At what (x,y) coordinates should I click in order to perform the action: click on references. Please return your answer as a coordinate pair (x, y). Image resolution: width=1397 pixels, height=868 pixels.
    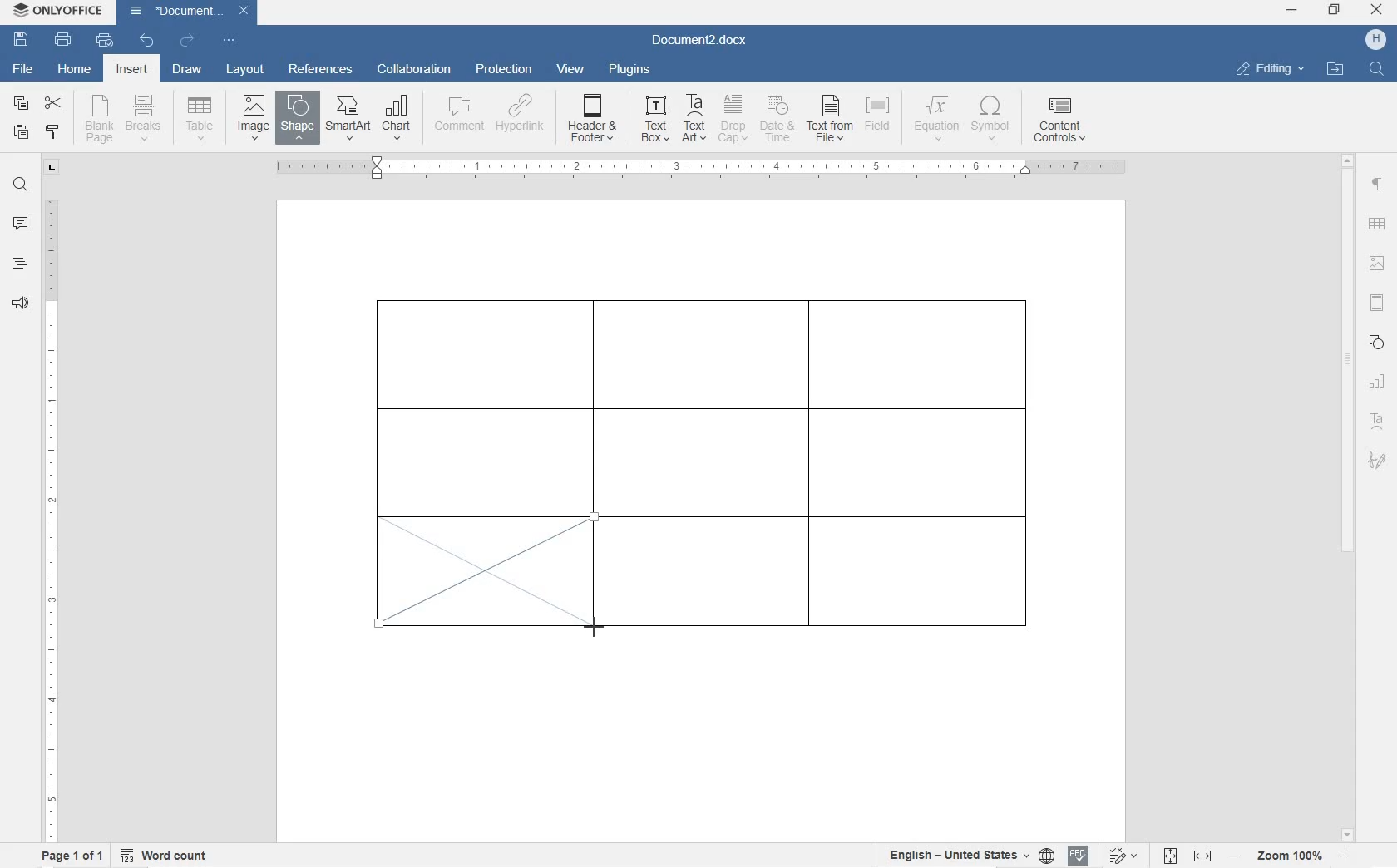
    Looking at the image, I should click on (320, 69).